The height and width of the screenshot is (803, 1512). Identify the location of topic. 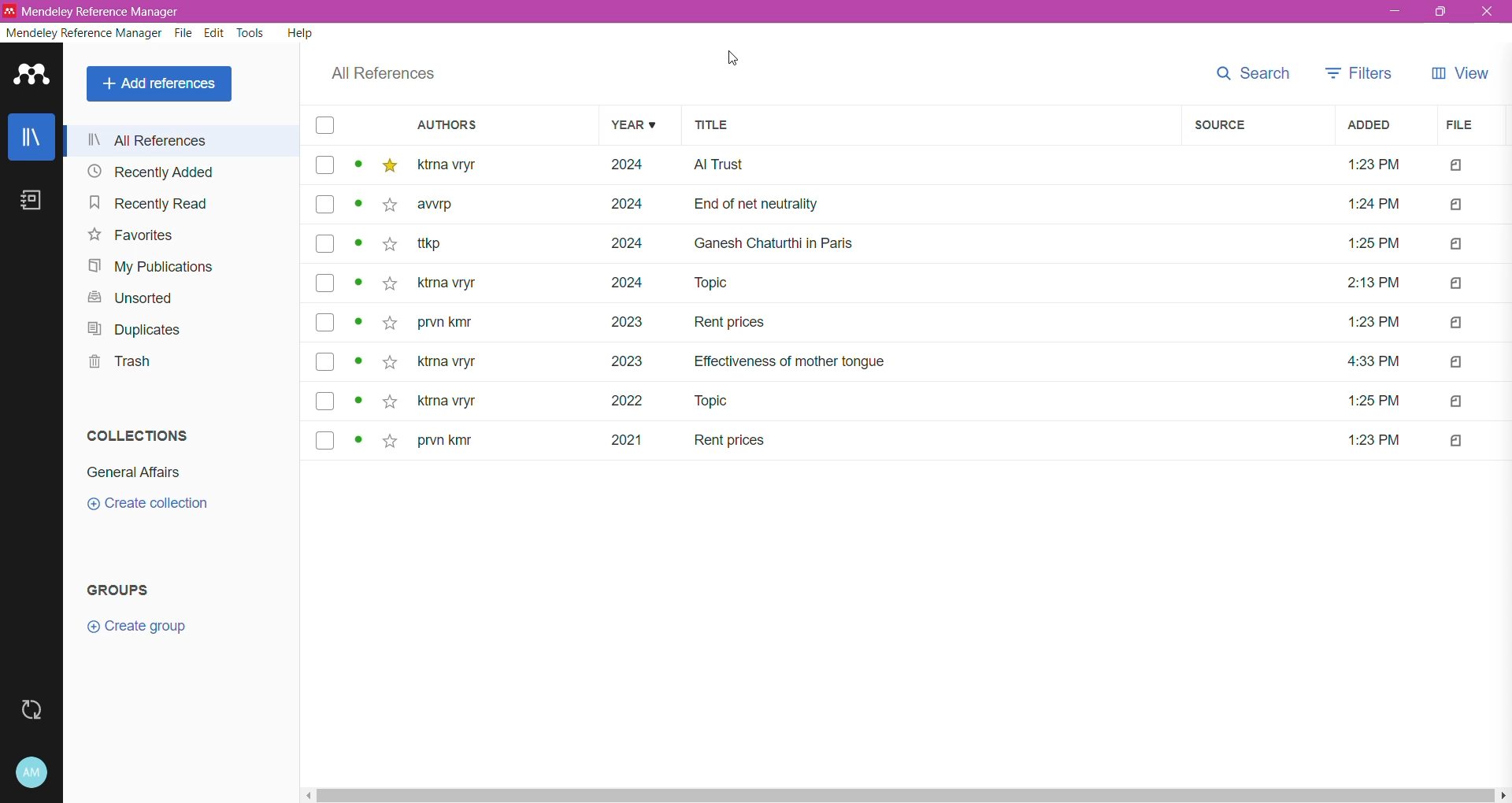
(717, 401).